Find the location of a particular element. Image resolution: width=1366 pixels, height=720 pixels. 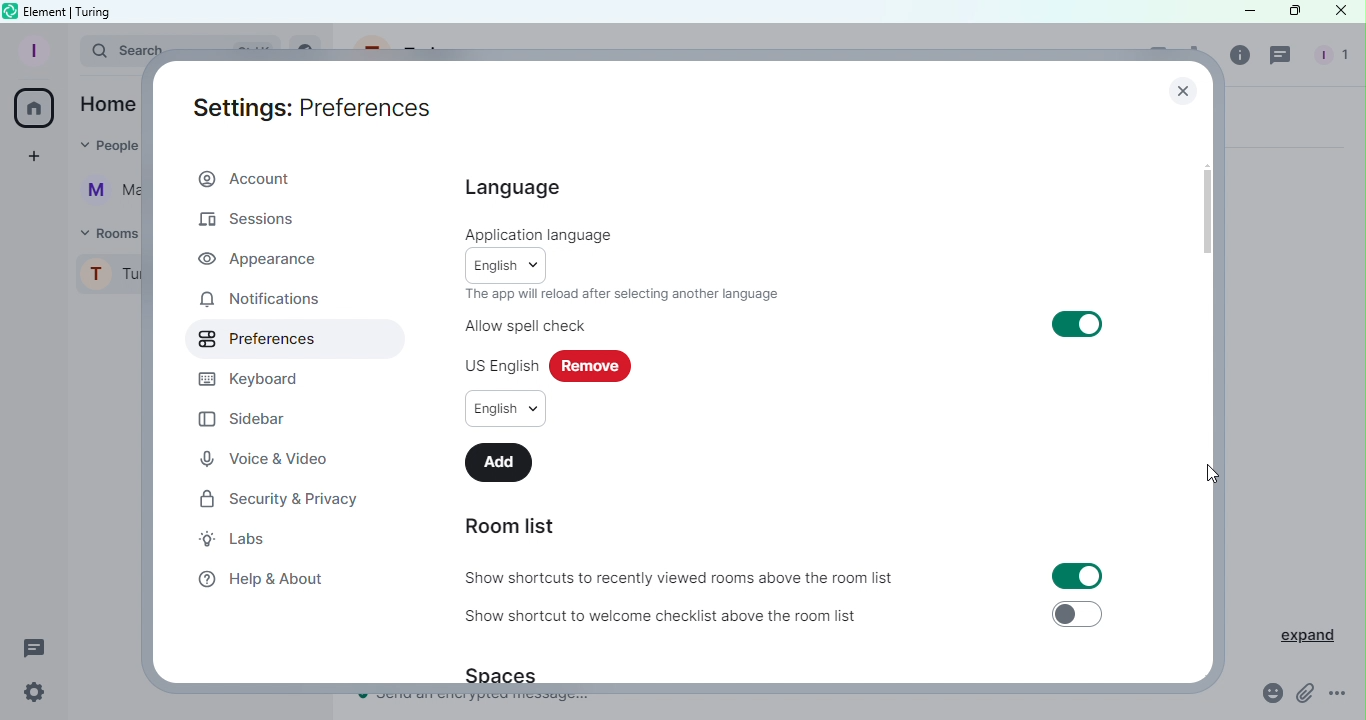

Element  is located at coordinates (47, 10).